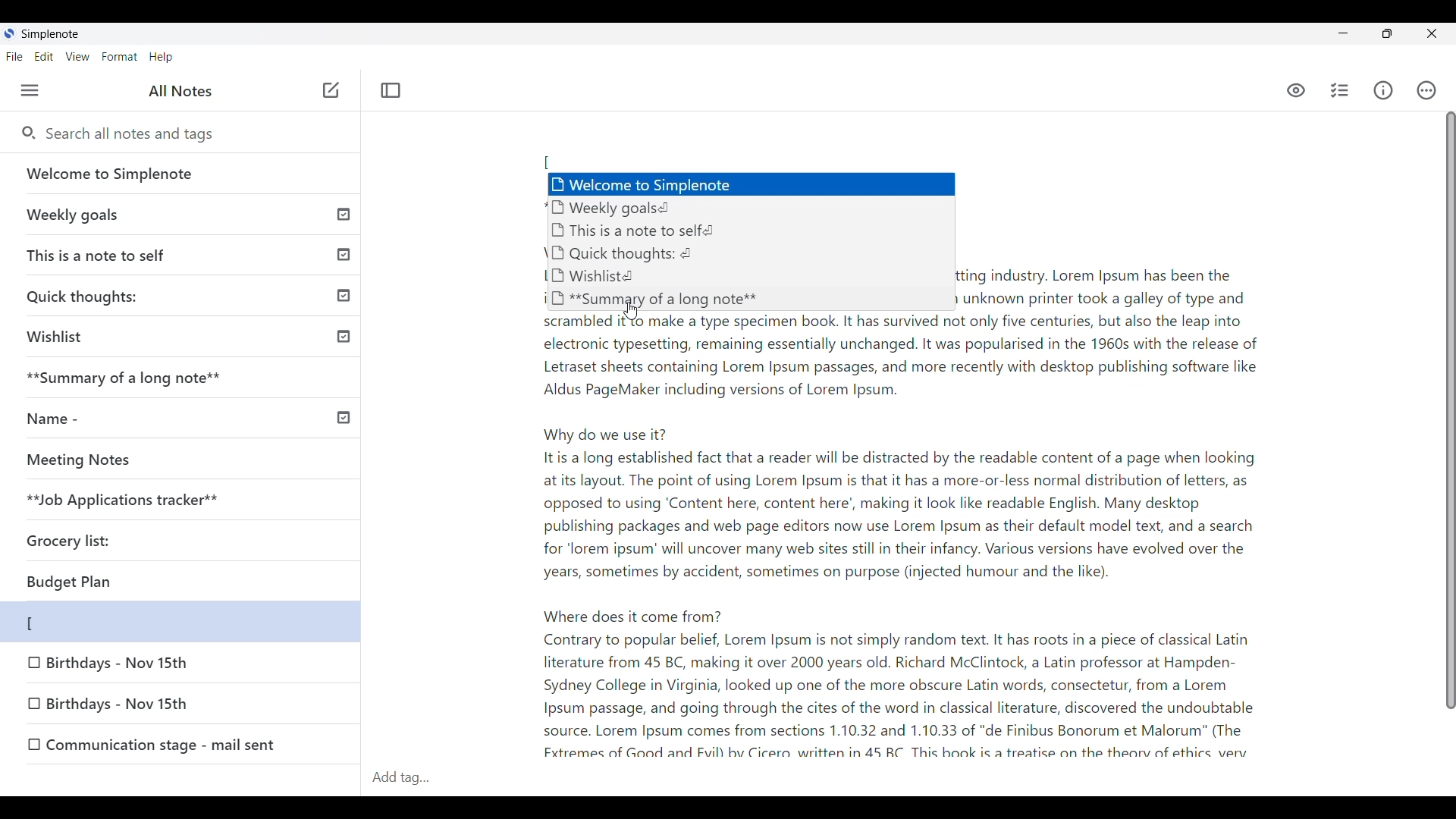 The width and height of the screenshot is (1456, 819). What do you see at coordinates (1388, 33) in the screenshot?
I see `Resize` at bounding box center [1388, 33].